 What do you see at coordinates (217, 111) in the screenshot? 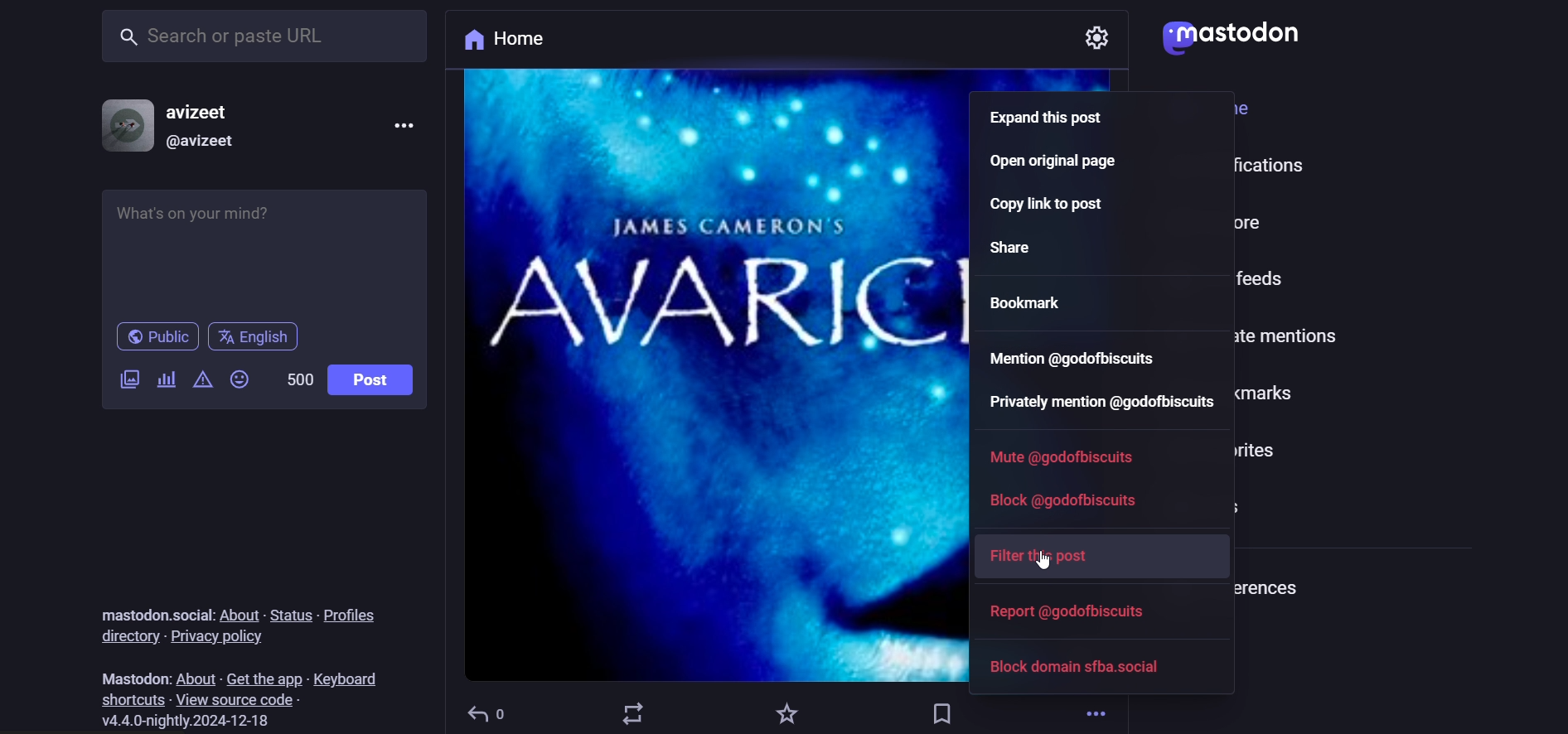
I see `name` at bounding box center [217, 111].